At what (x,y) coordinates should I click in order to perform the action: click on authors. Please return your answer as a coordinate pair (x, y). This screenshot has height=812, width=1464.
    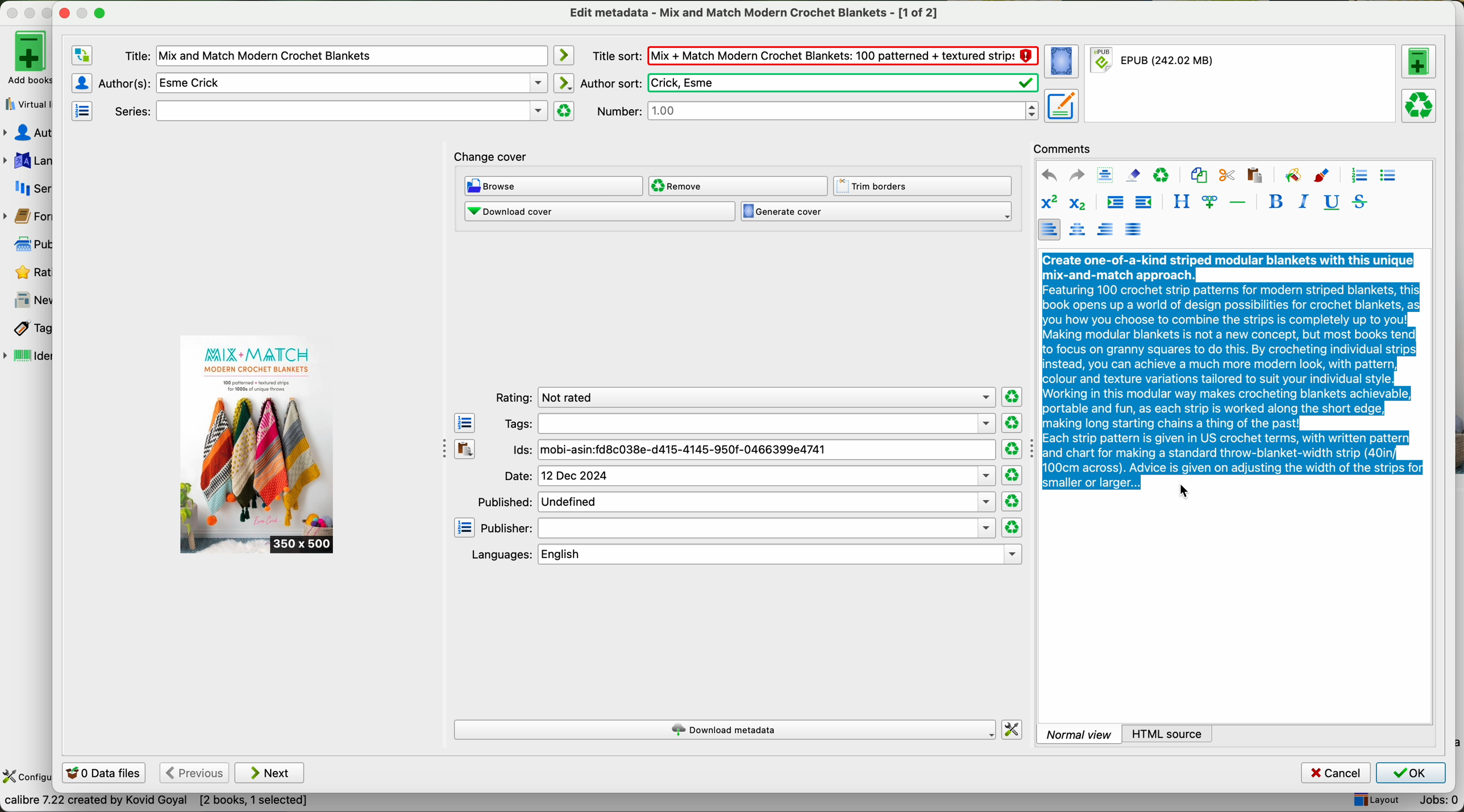
    Looking at the image, I should click on (27, 133).